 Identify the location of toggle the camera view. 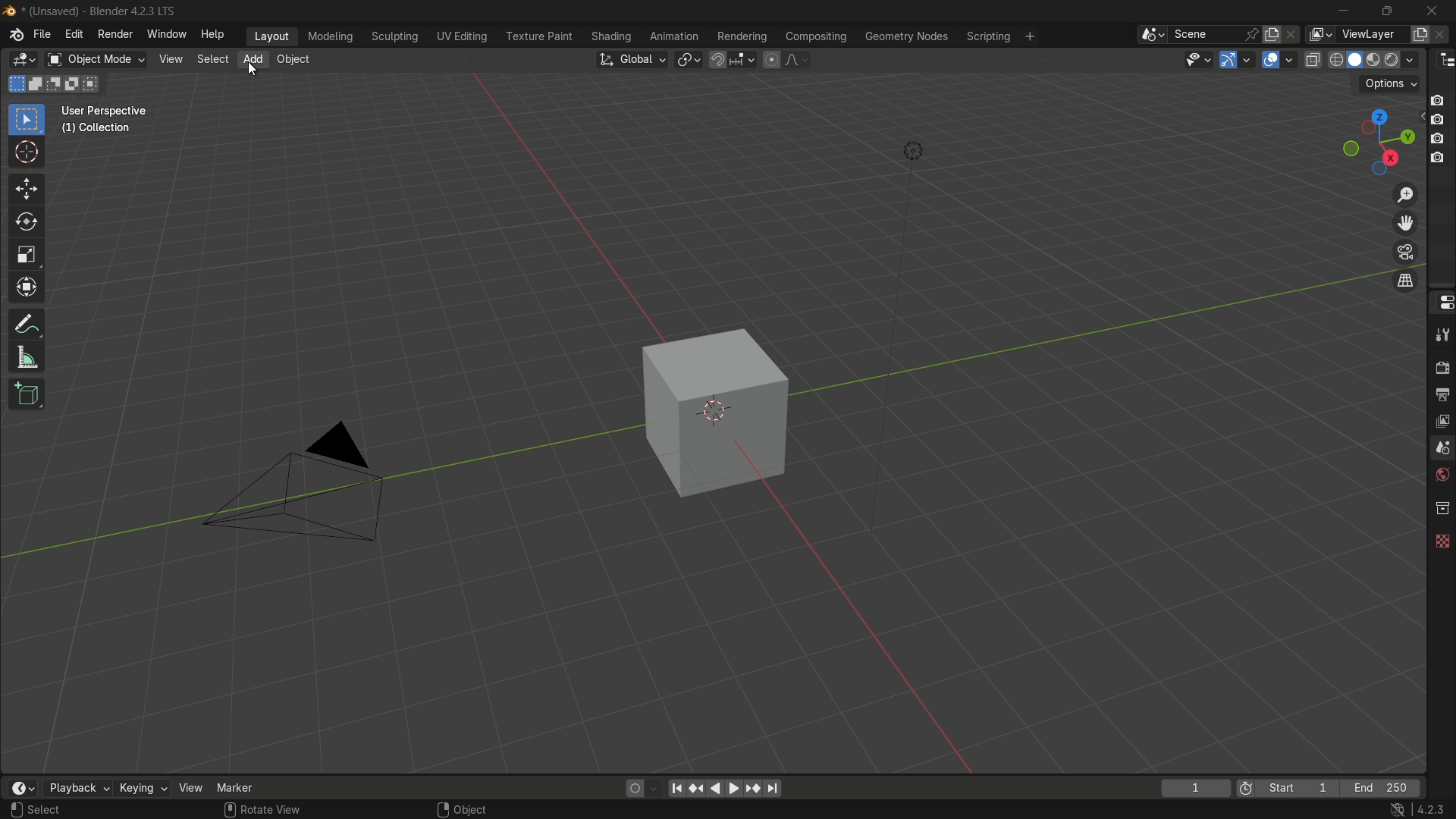
(1405, 252).